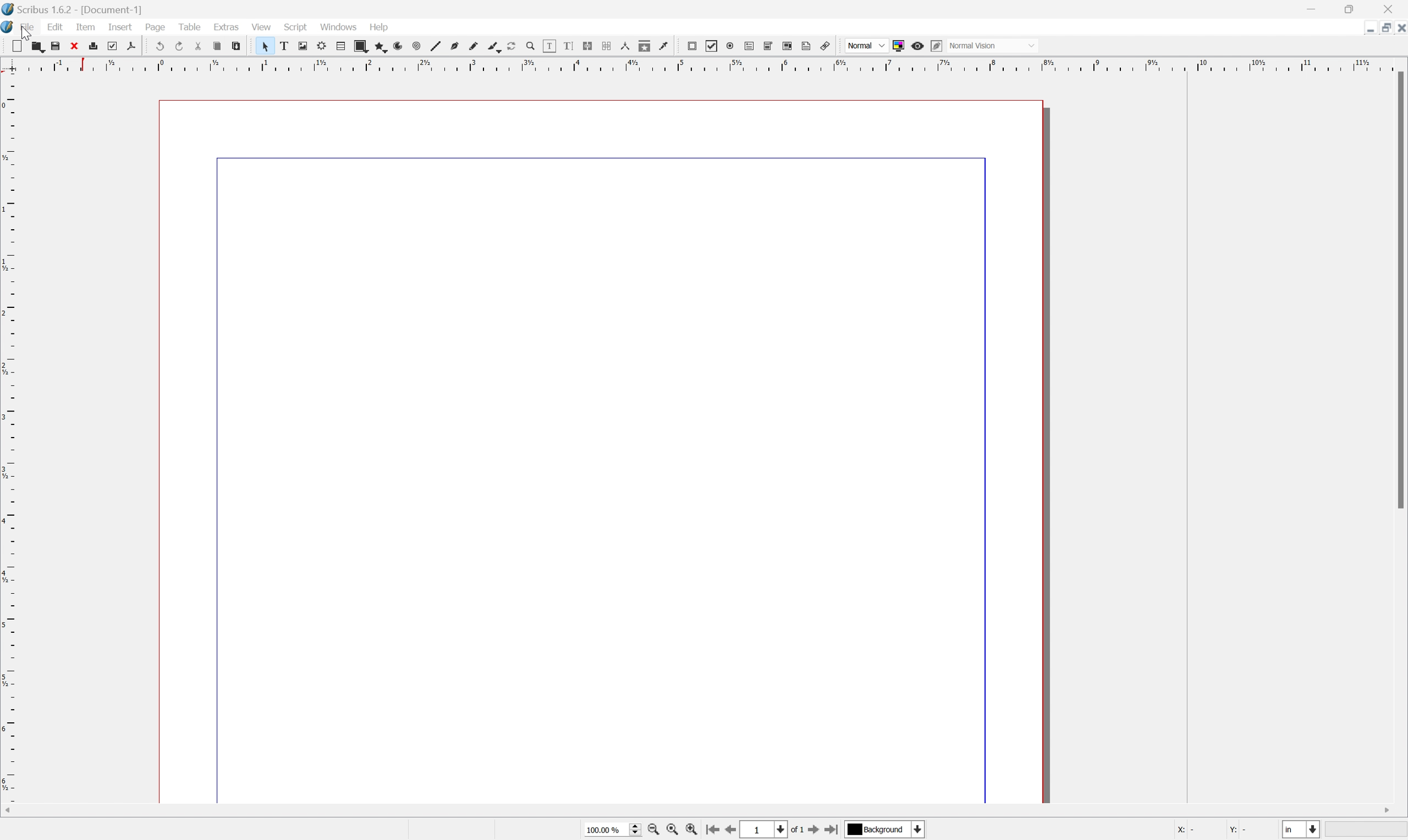 The image size is (1408, 840). I want to click on Freehand line, so click(472, 46).